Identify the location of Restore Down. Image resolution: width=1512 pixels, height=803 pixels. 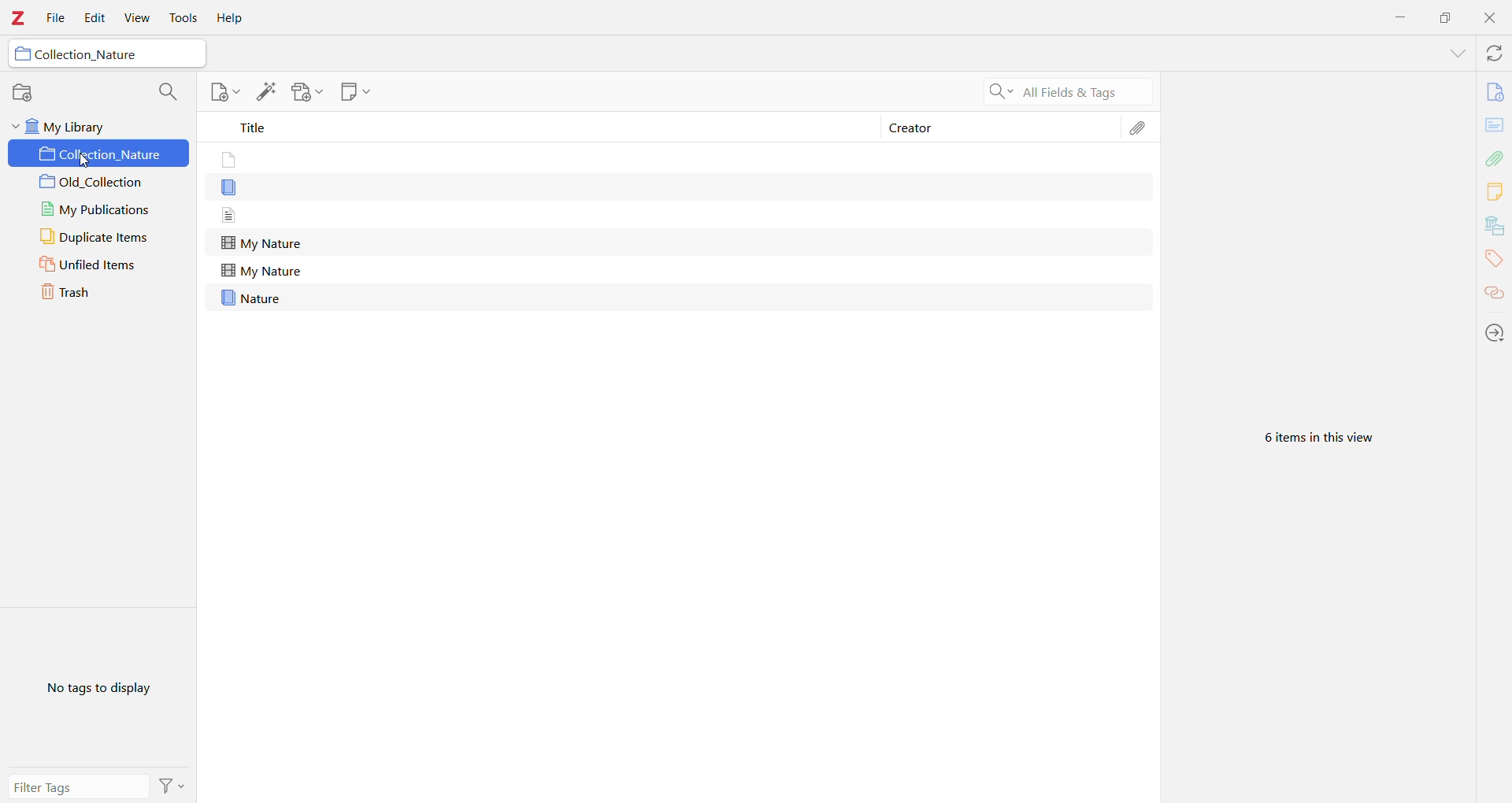
(1446, 17).